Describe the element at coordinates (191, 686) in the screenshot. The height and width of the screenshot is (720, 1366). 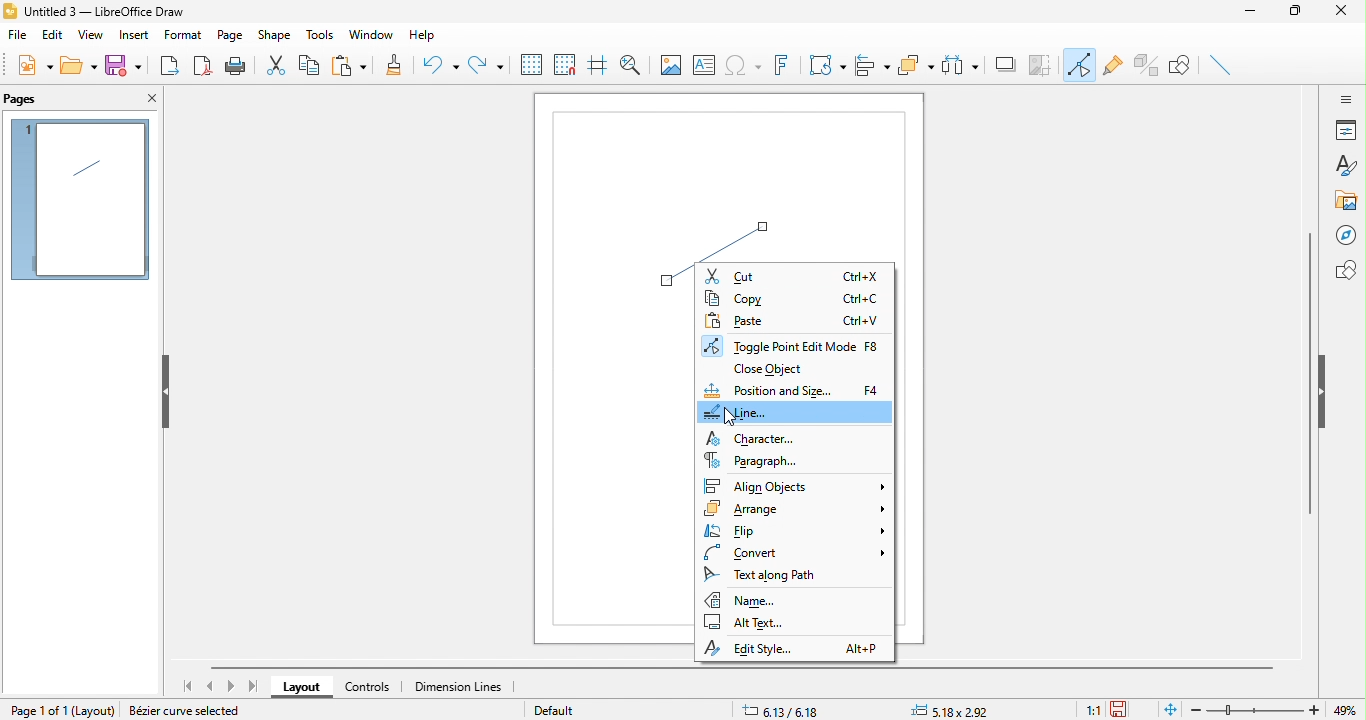
I see `first page` at that location.